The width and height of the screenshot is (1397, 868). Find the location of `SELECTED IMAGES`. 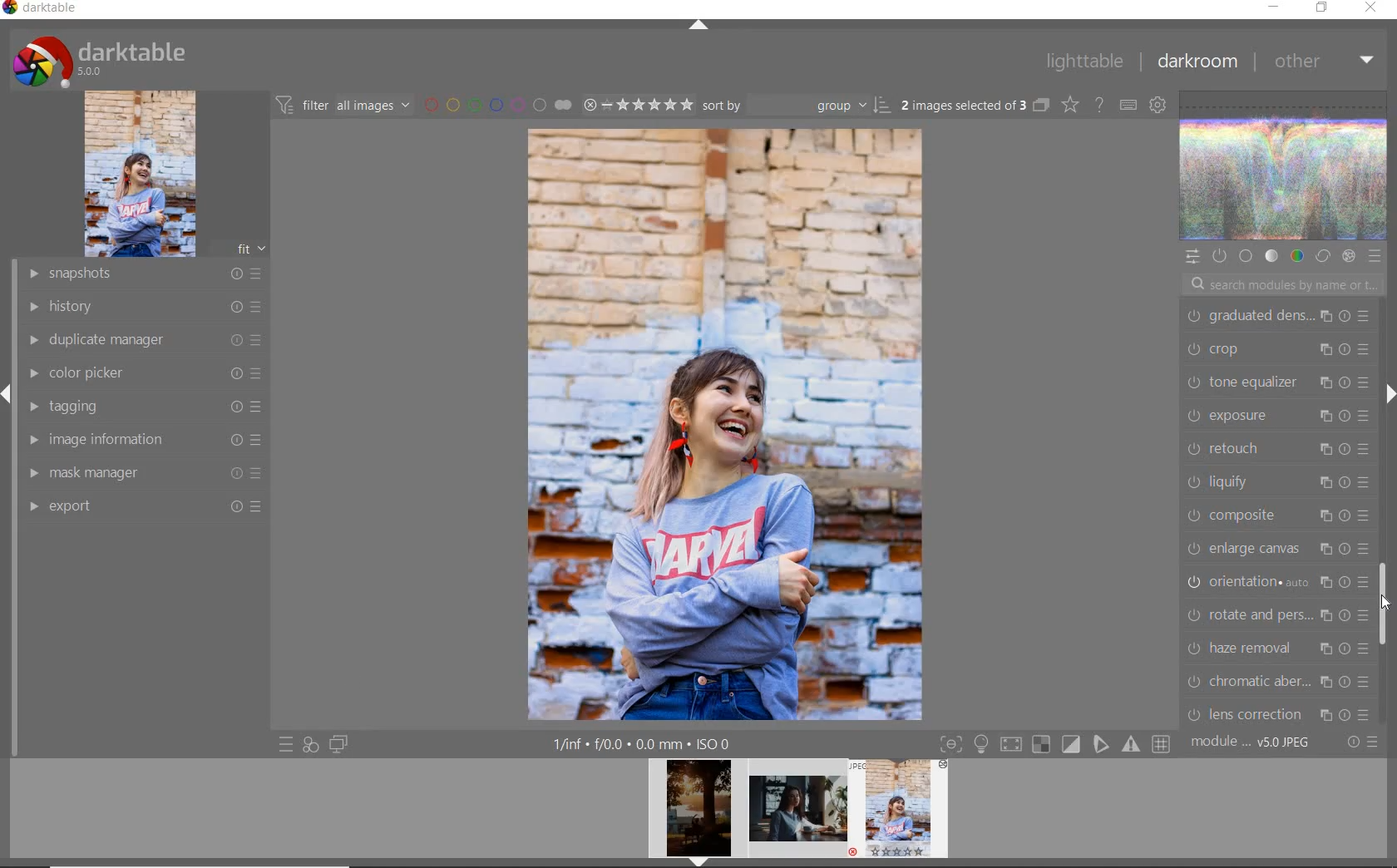

SELECTED IMAGES is located at coordinates (964, 102).